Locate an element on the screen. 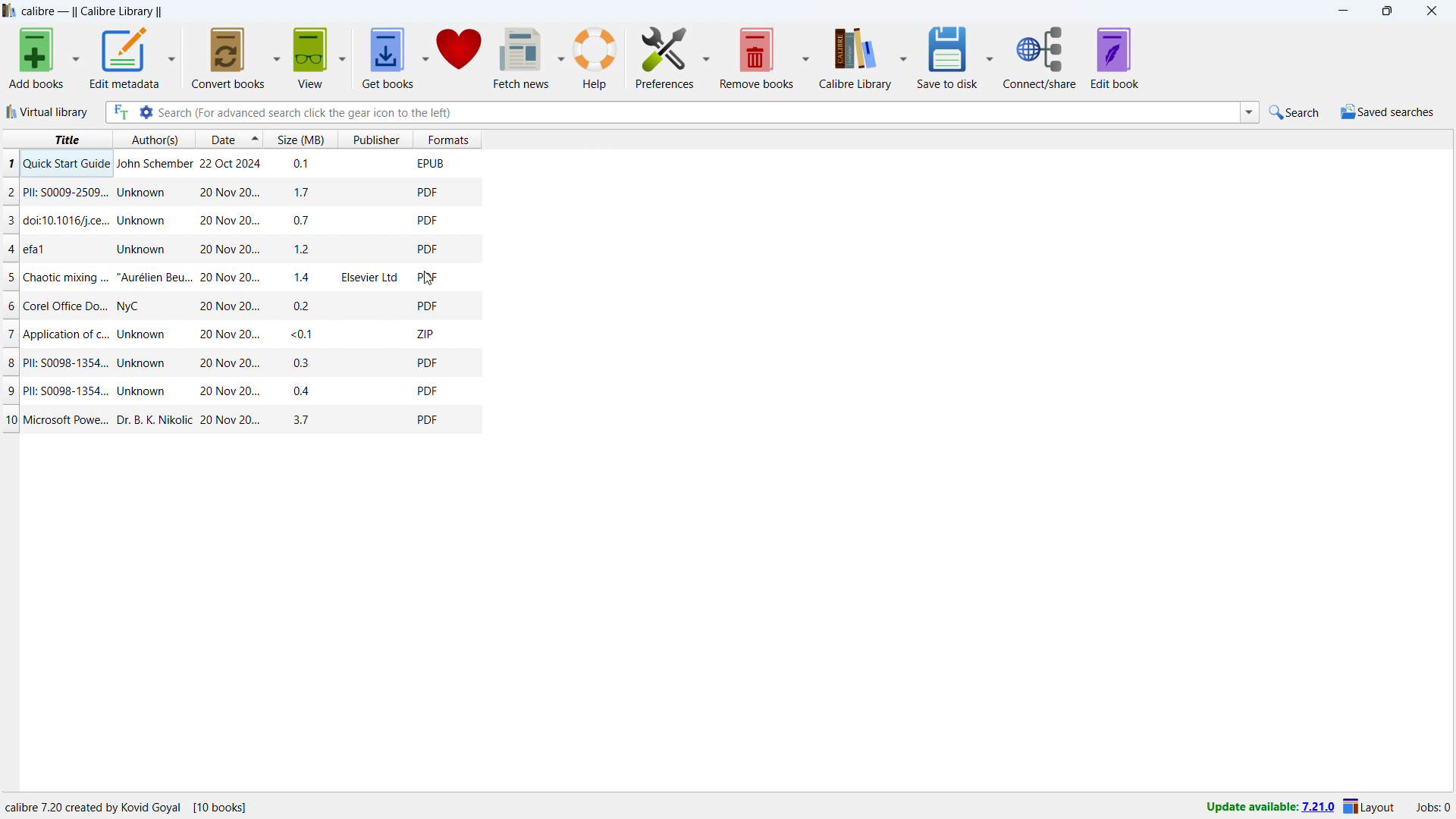 The height and width of the screenshot is (819, 1456). title is located at coordinates (56, 137).